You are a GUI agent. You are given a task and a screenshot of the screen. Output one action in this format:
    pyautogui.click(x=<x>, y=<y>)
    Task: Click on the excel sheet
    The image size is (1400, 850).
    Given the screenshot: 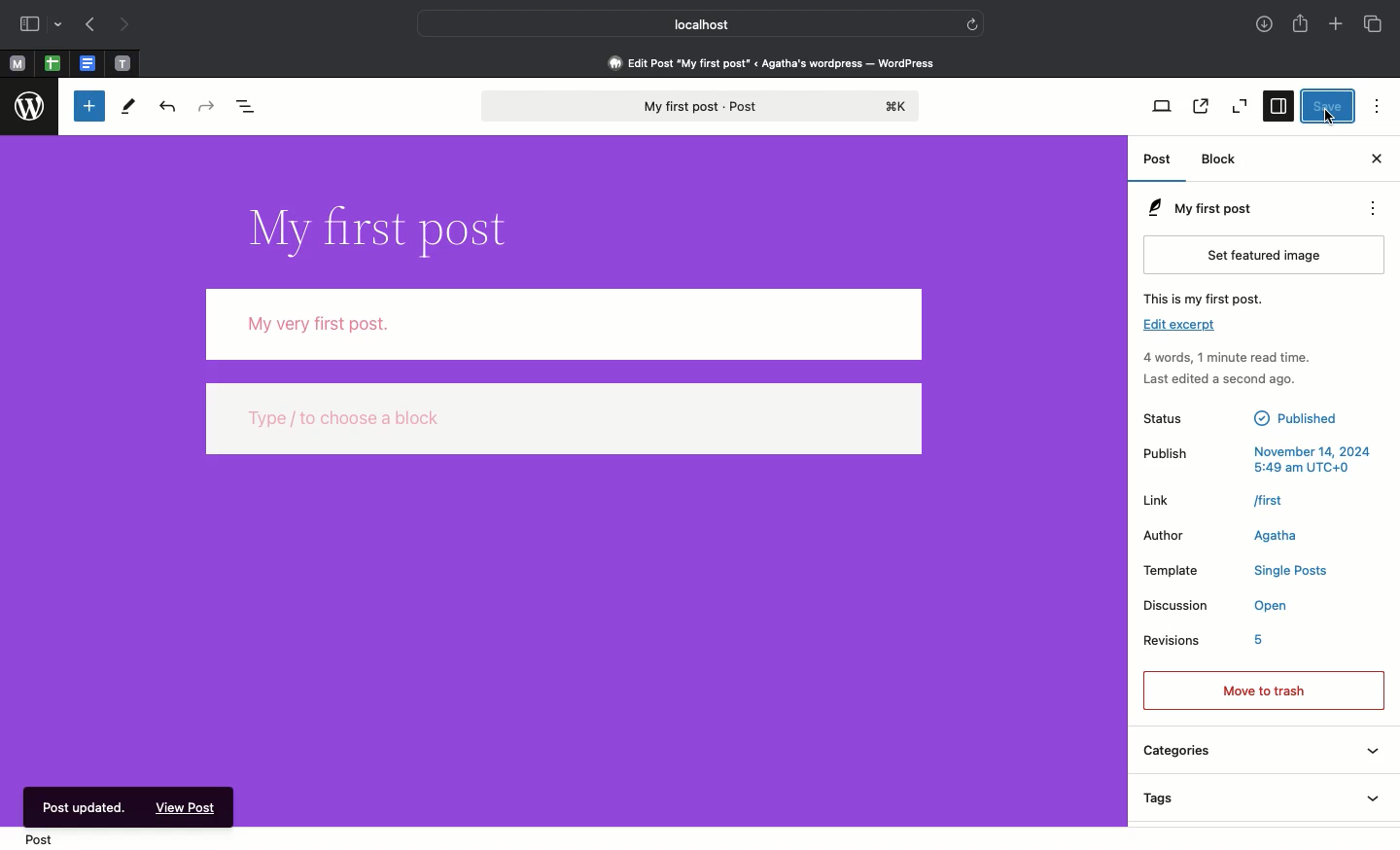 What is the action you would take?
    pyautogui.click(x=51, y=62)
    